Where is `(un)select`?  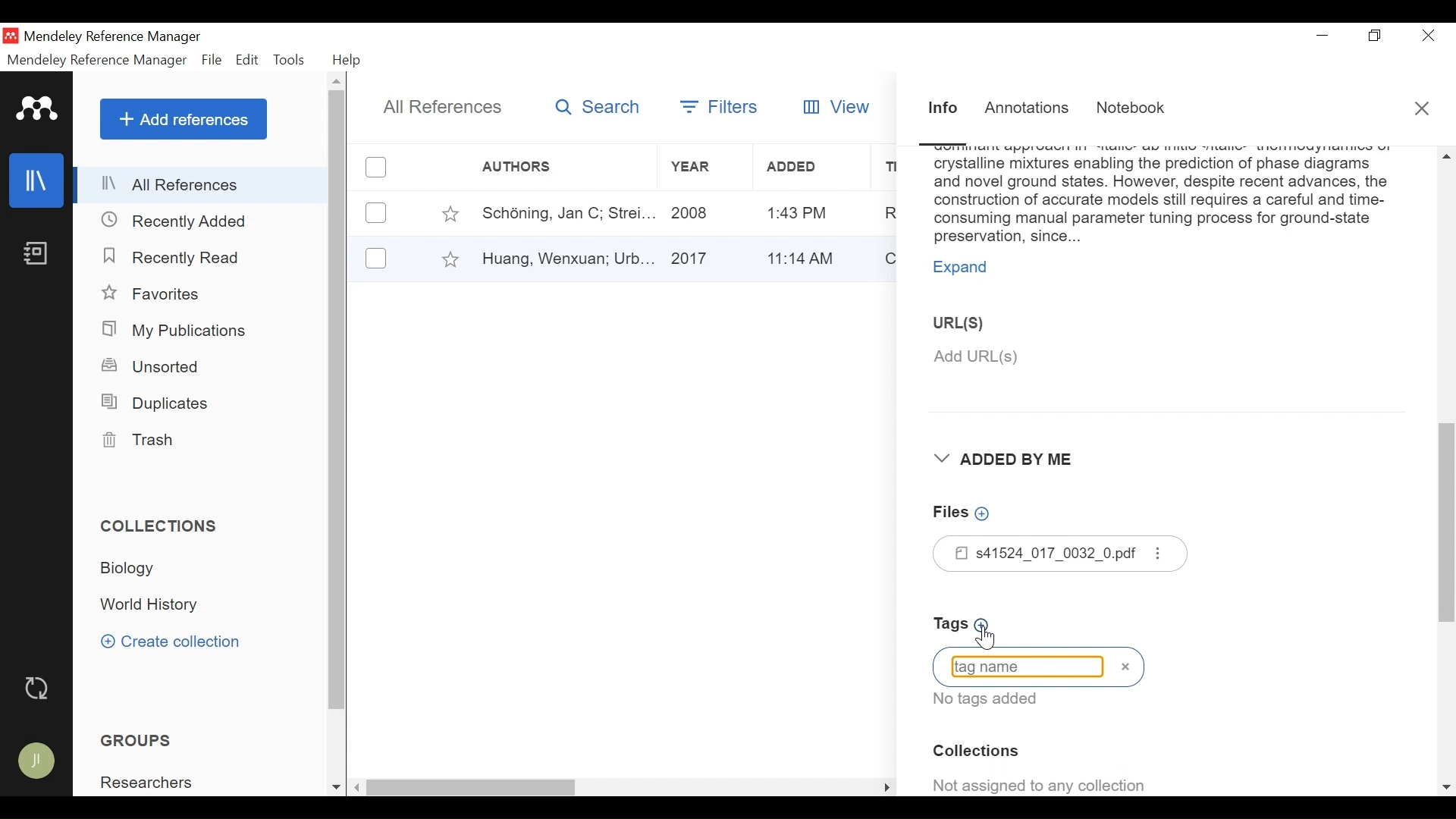 (un)select is located at coordinates (376, 213).